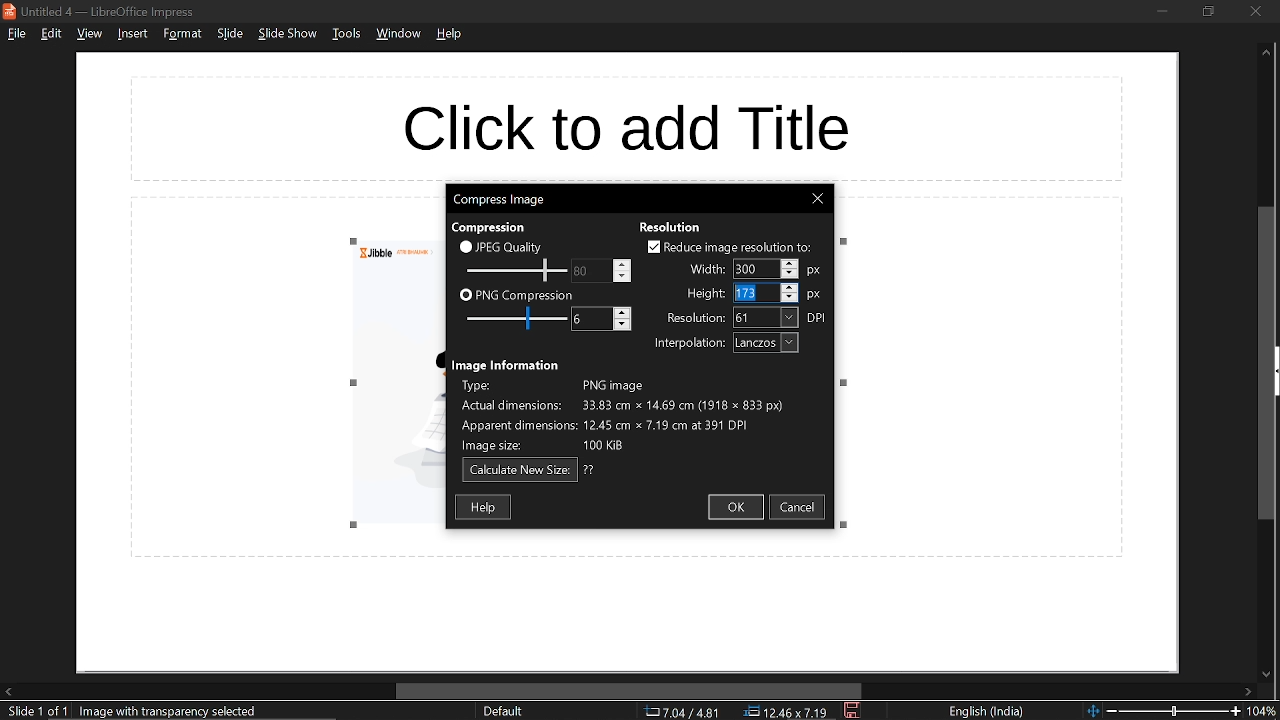 This screenshot has height=720, width=1280. What do you see at coordinates (1249, 691) in the screenshot?
I see `move right` at bounding box center [1249, 691].